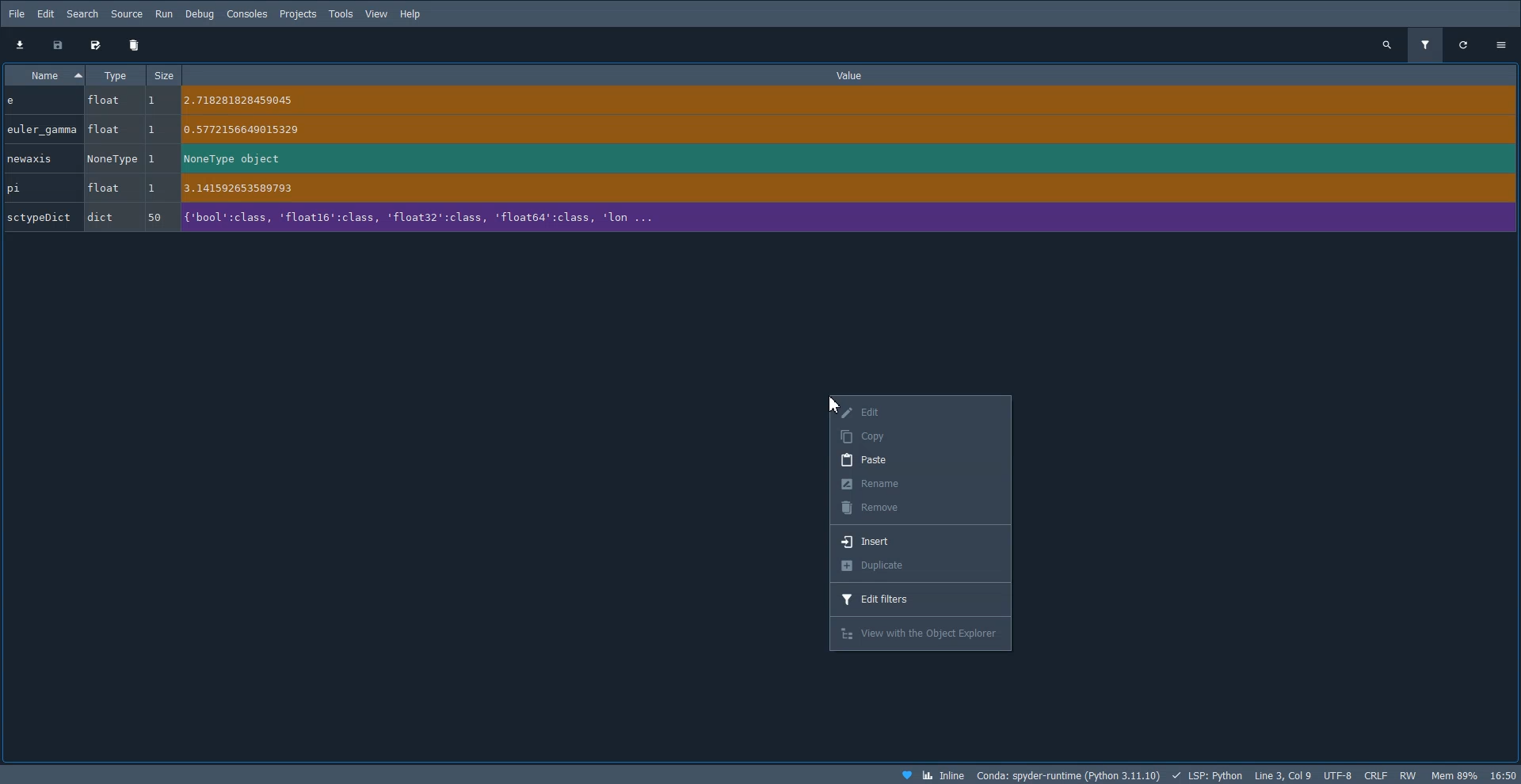 The width and height of the screenshot is (1521, 784). I want to click on Source, so click(127, 13).